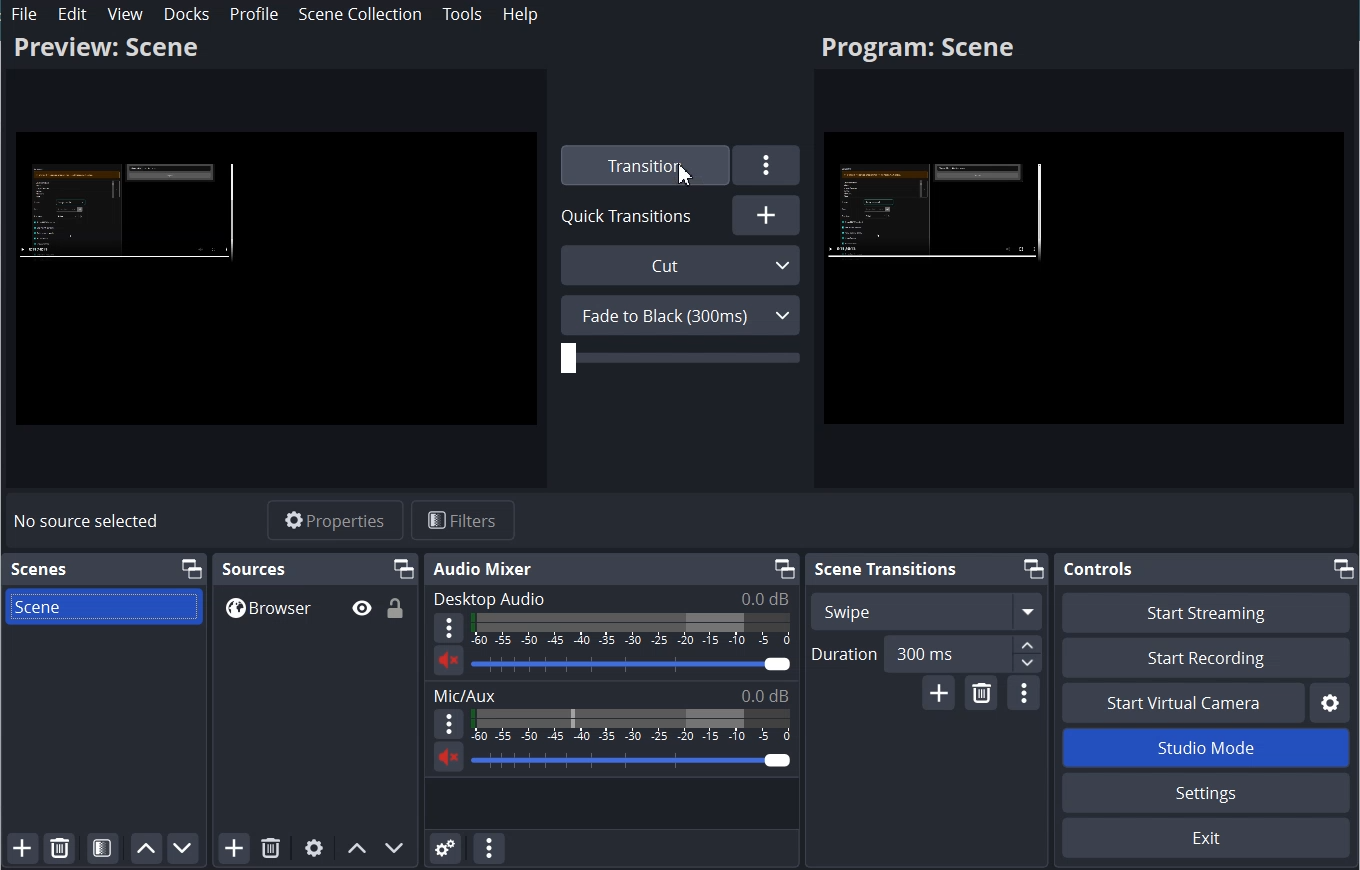  I want to click on Open scene Filter, so click(102, 849).